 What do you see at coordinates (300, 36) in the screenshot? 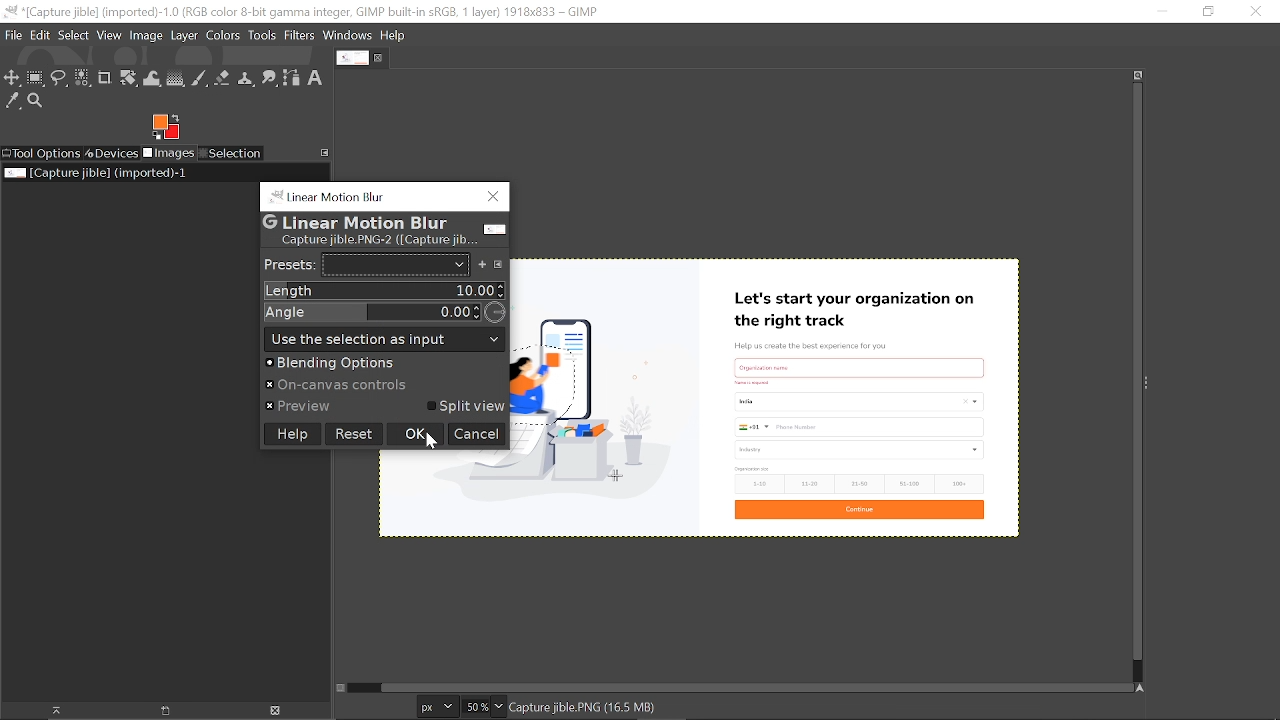
I see `Filters` at bounding box center [300, 36].